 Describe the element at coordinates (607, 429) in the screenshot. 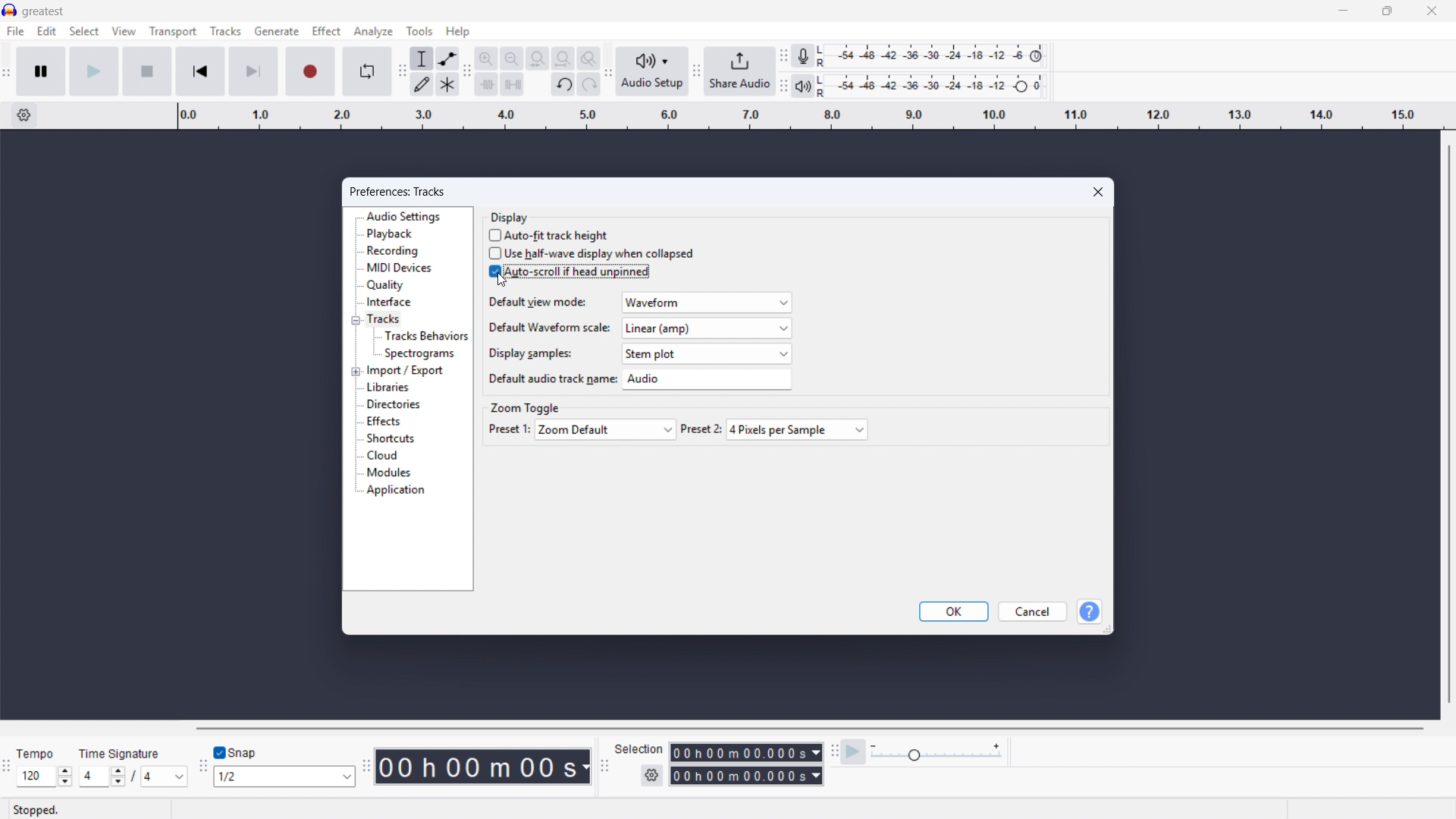

I see `Preset one ` at that location.